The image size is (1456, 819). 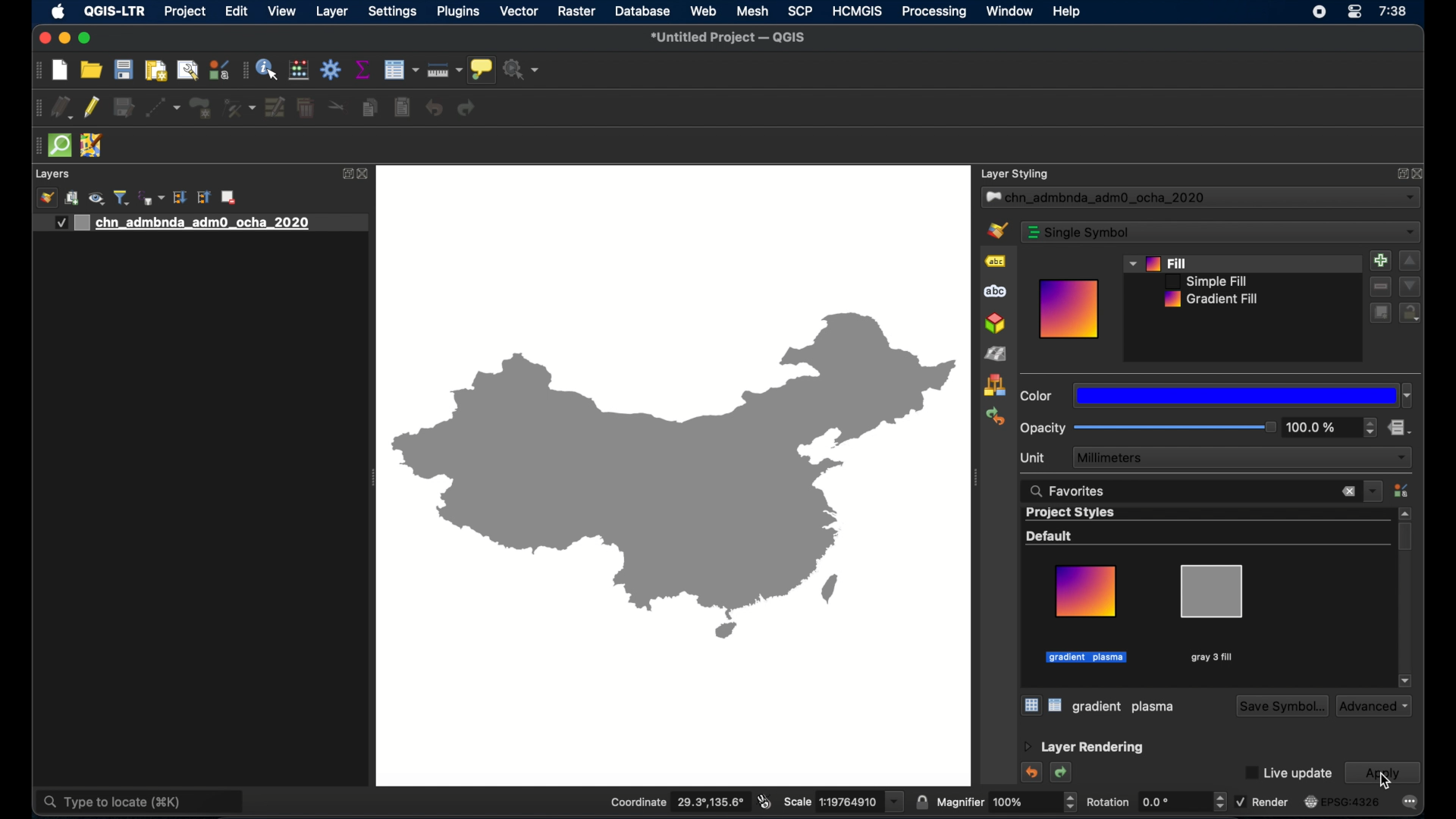 I want to click on dropdown menu, so click(x=1373, y=491).